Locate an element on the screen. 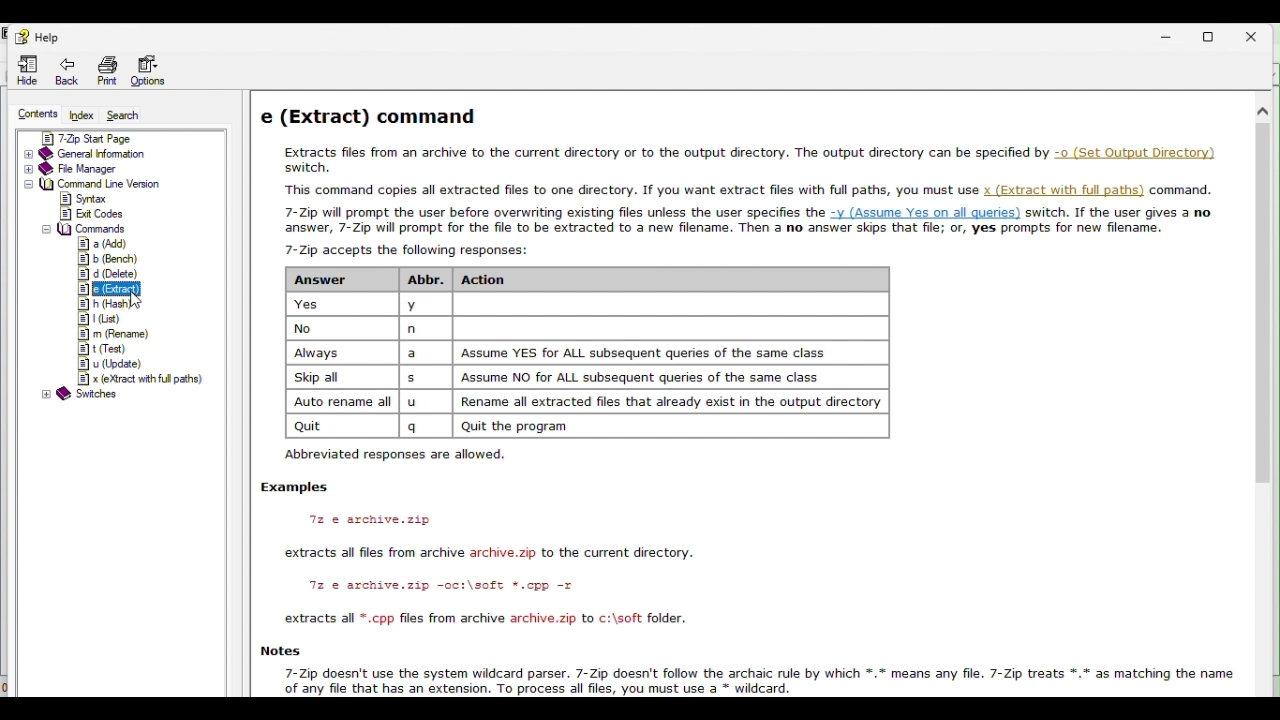  l (list) is located at coordinates (106, 318).